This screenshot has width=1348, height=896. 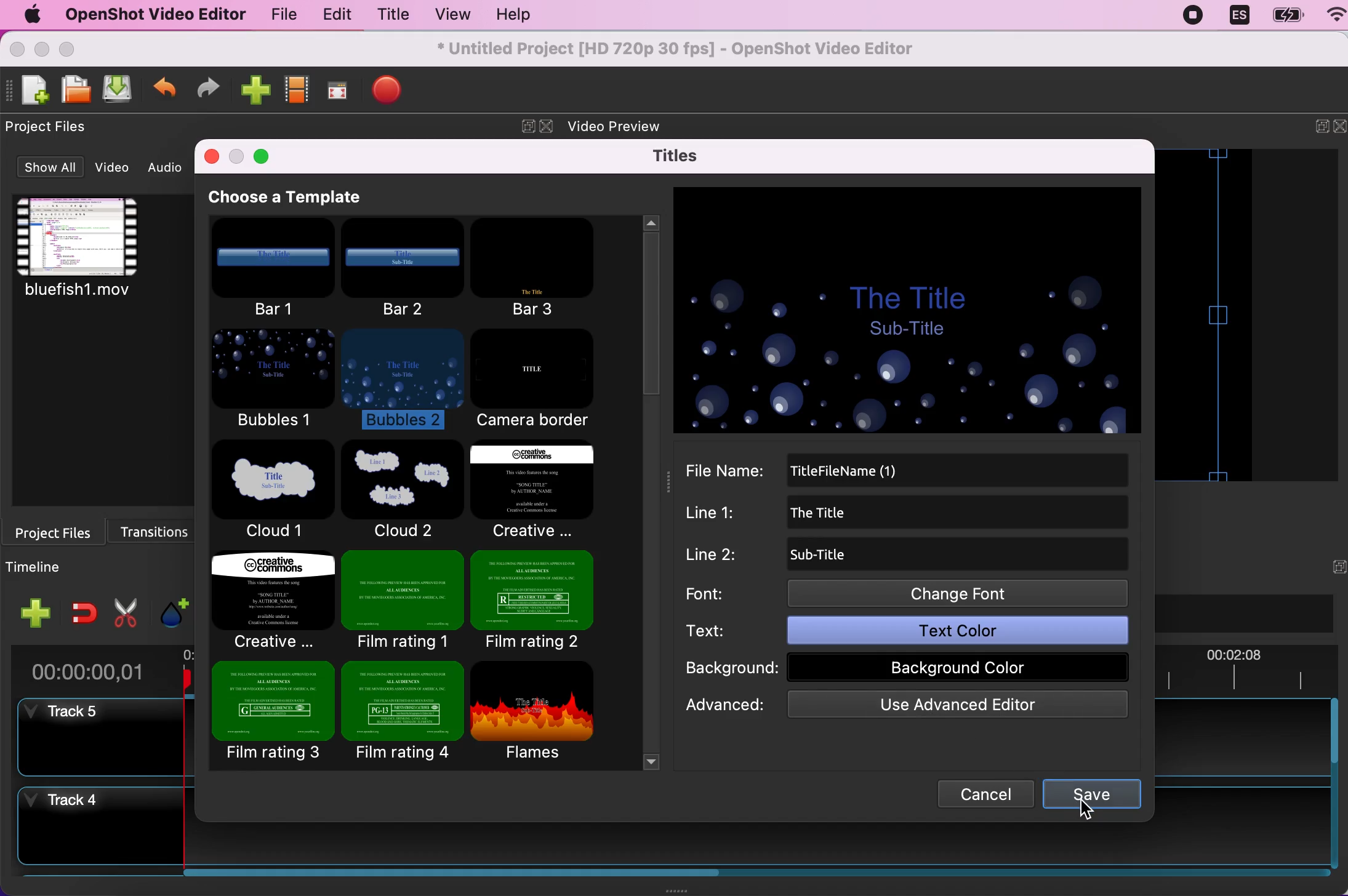 I want to click on bubbles 2, so click(x=403, y=381).